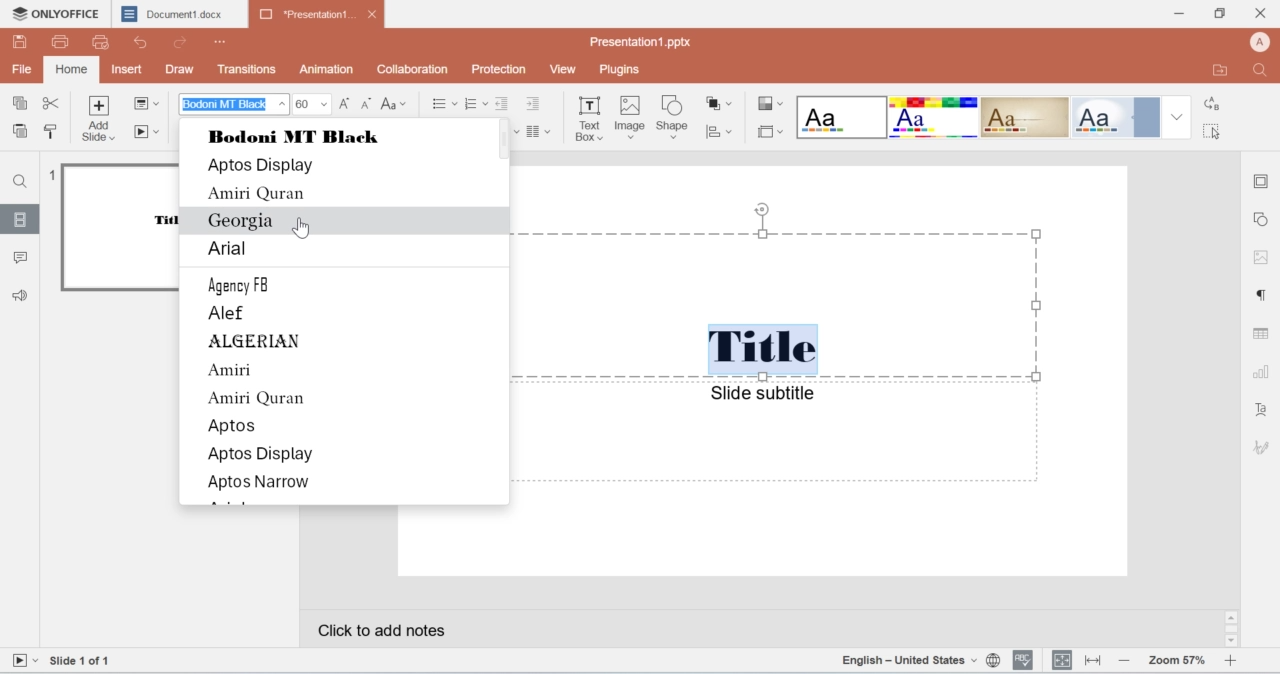 This screenshot has height=674, width=1280. Describe the element at coordinates (21, 41) in the screenshot. I see `save` at that location.